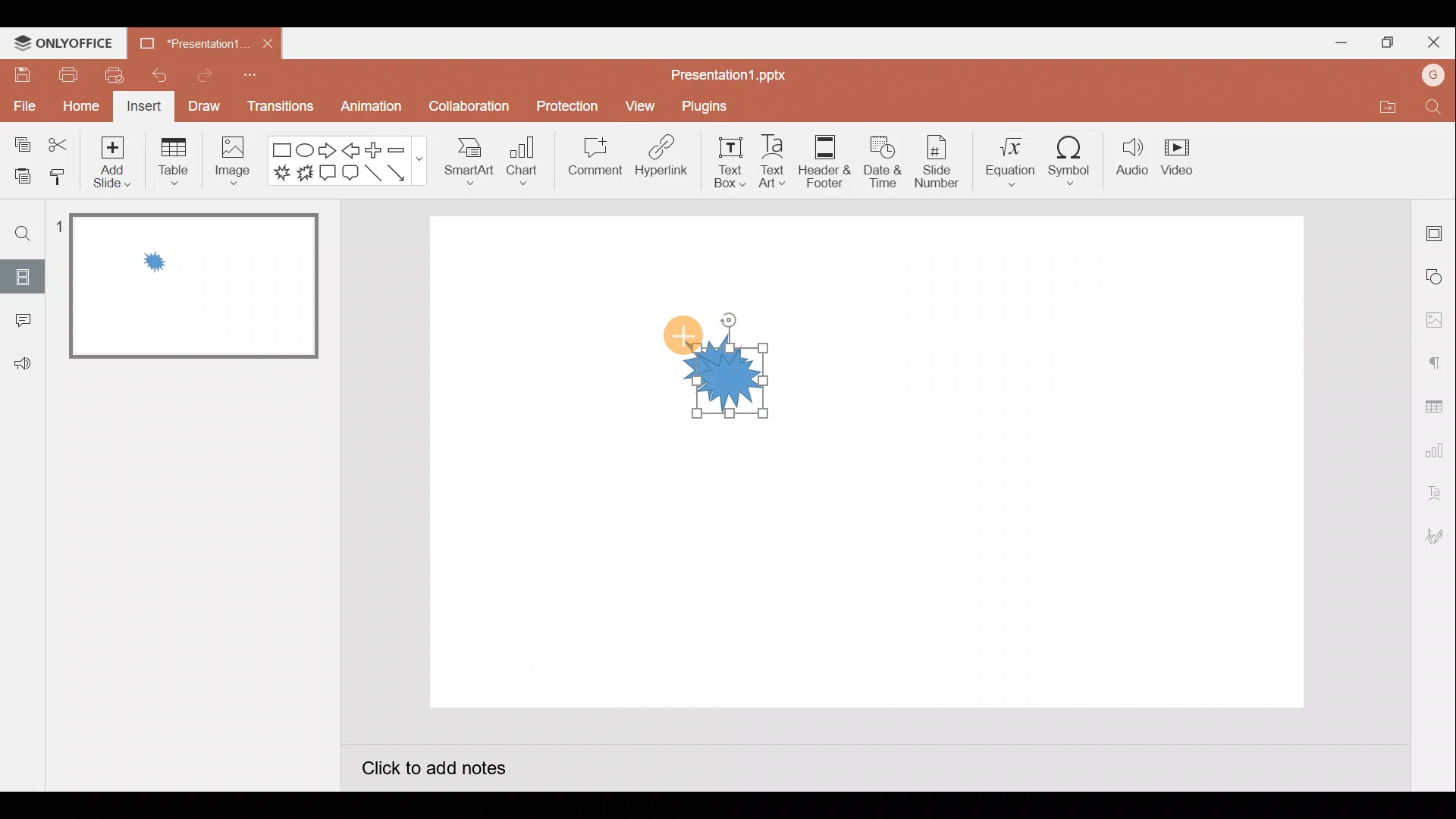 This screenshot has width=1456, height=819. What do you see at coordinates (306, 177) in the screenshot?
I see `Explosion 2` at bounding box center [306, 177].